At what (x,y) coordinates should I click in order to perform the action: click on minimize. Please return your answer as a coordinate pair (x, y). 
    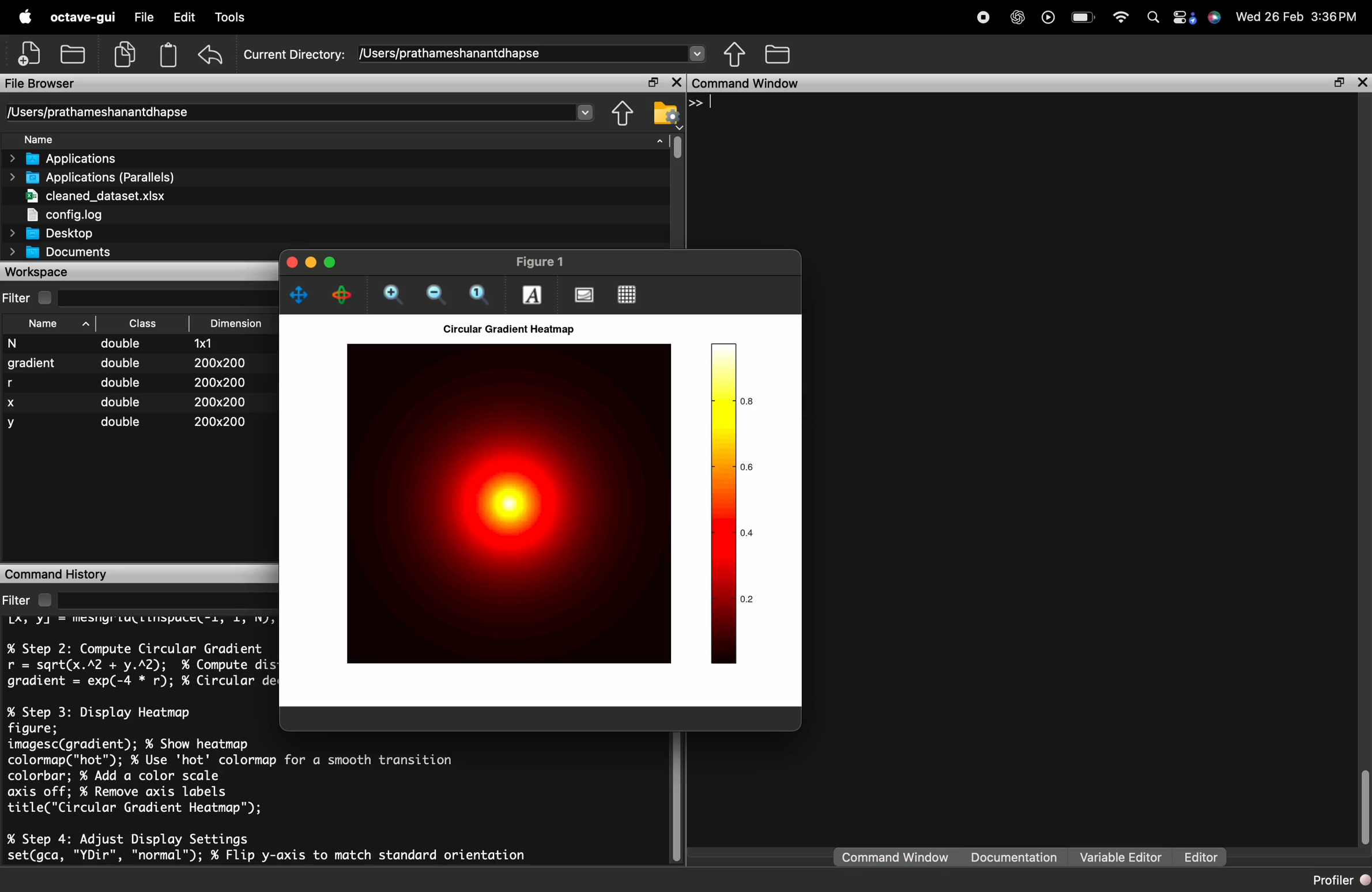
    Looking at the image, I should click on (311, 263).